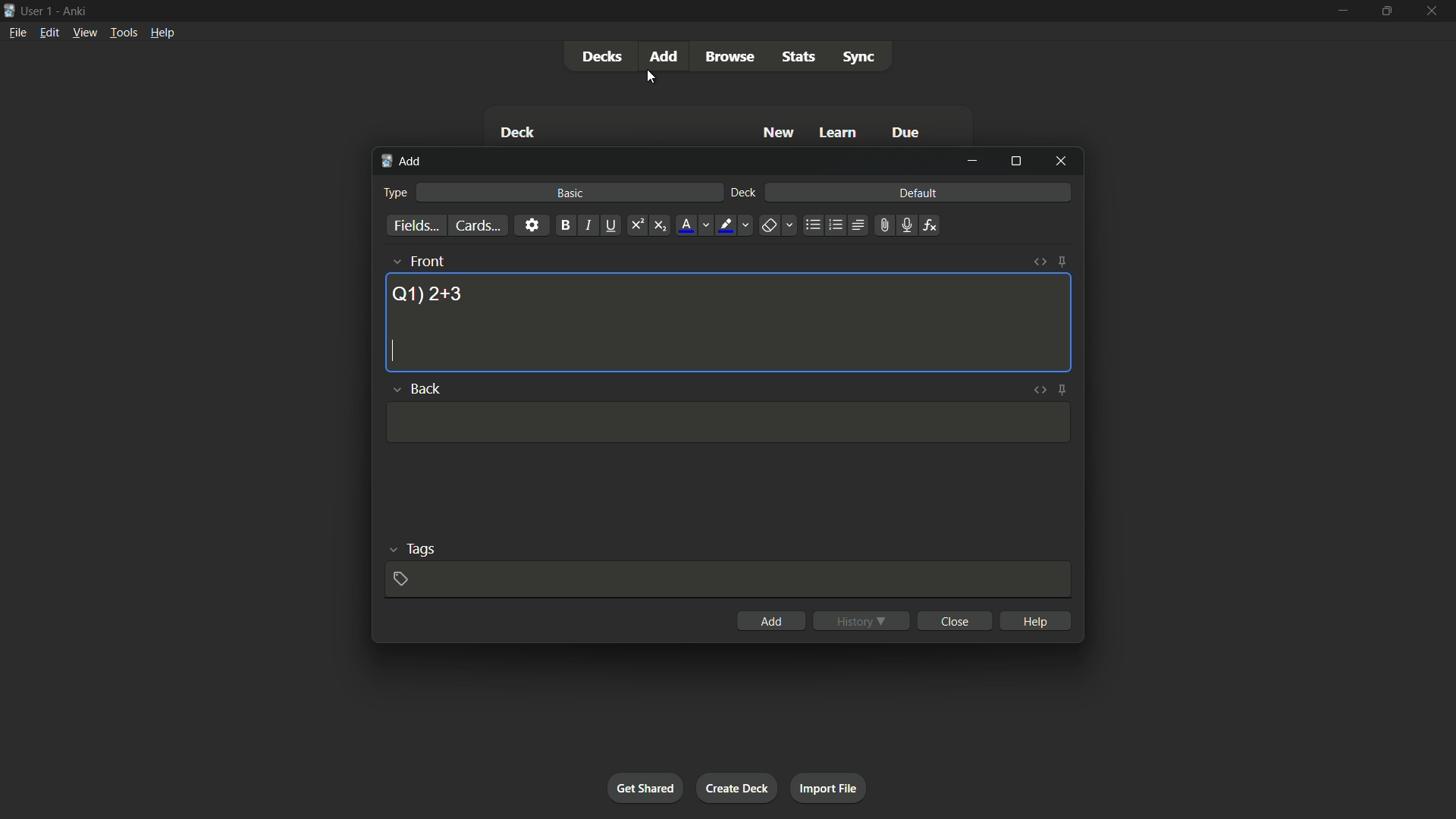 This screenshot has width=1456, height=819. What do you see at coordinates (403, 162) in the screenshot?
I see `add` at bounding box center [403, 162].